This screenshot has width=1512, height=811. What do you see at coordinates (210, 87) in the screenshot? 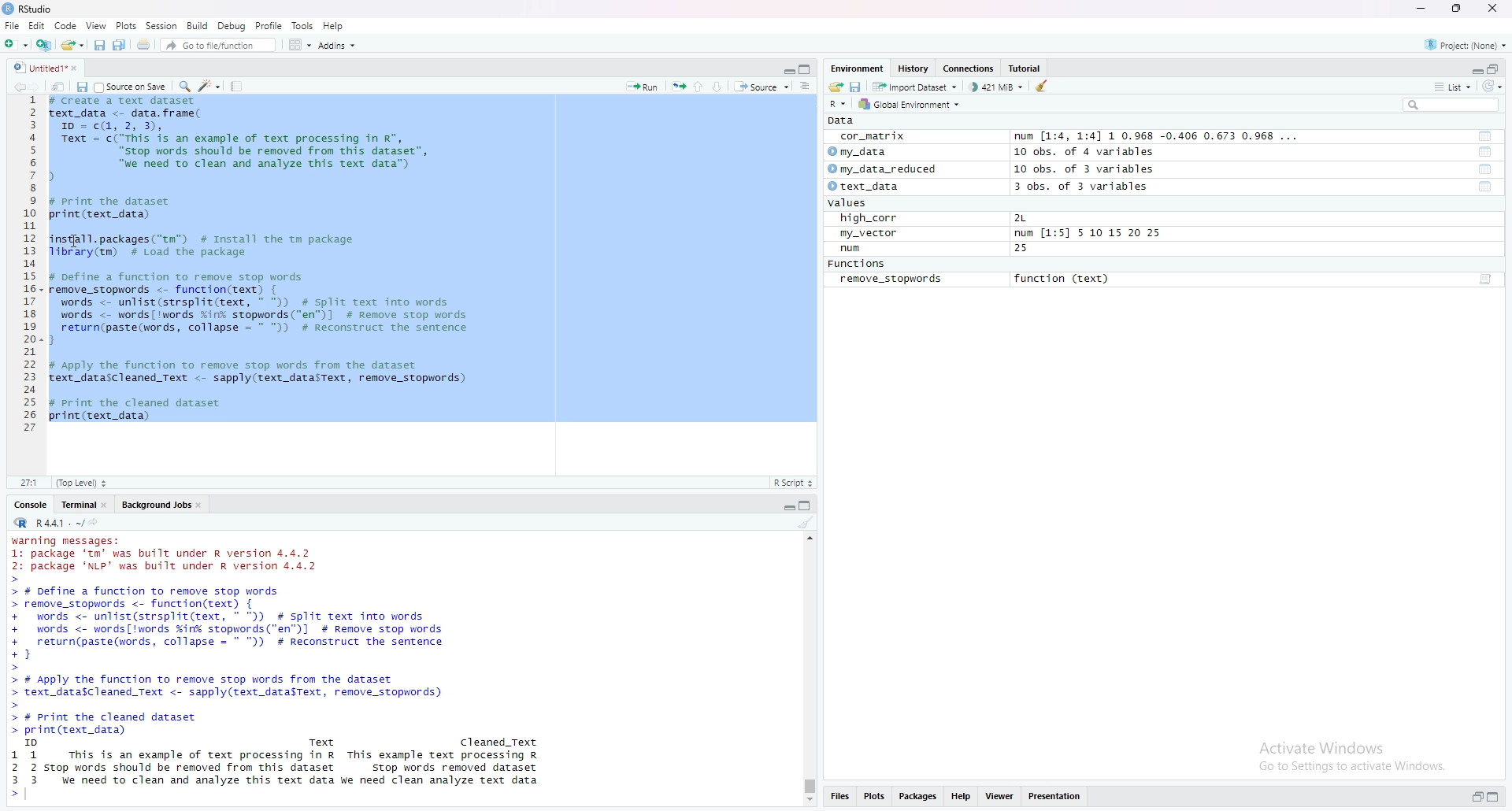
I see `code tools` at bounding box center [210, 87].